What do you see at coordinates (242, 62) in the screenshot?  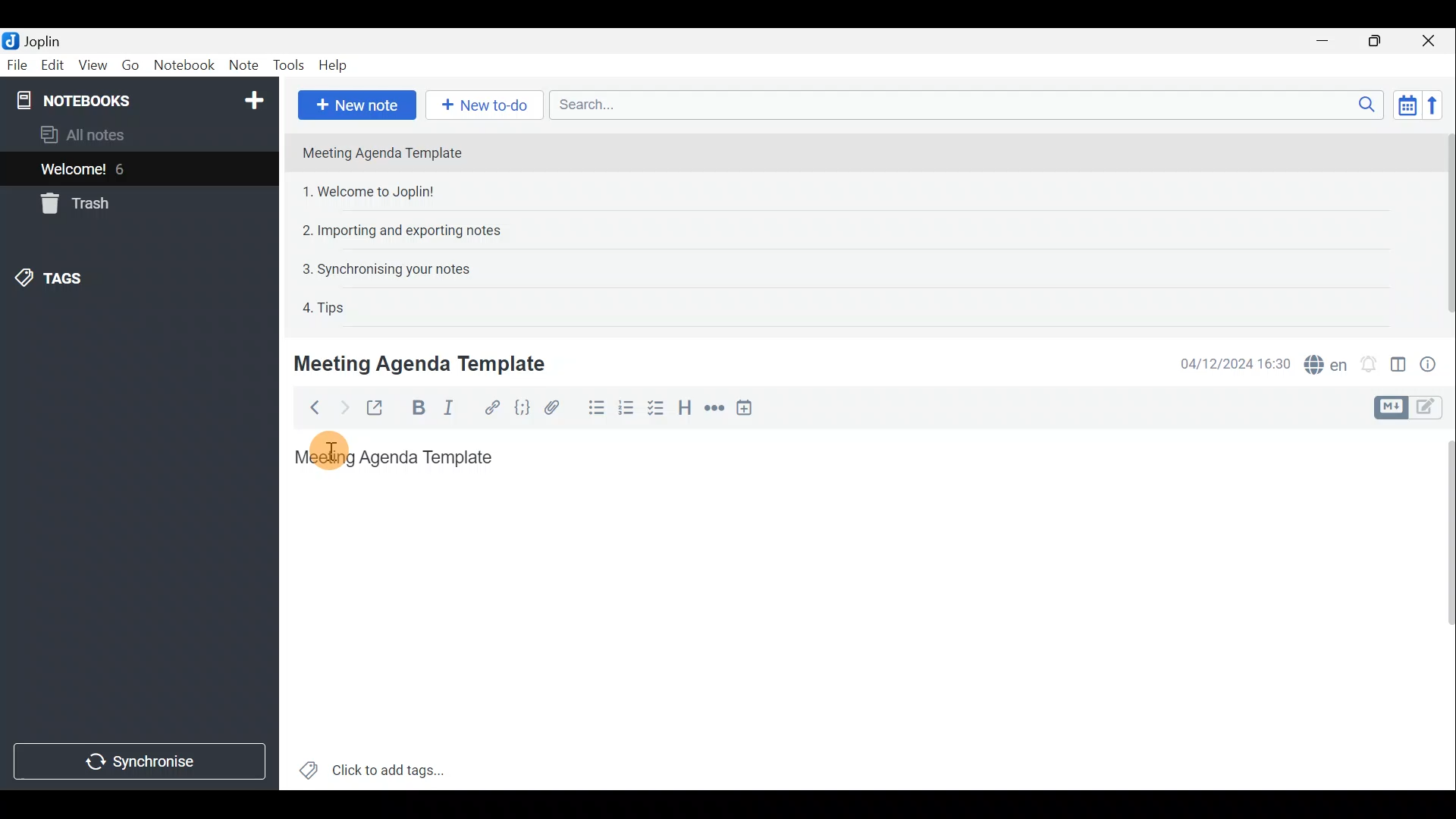 I see `Note` at bounding box center [242, 62].